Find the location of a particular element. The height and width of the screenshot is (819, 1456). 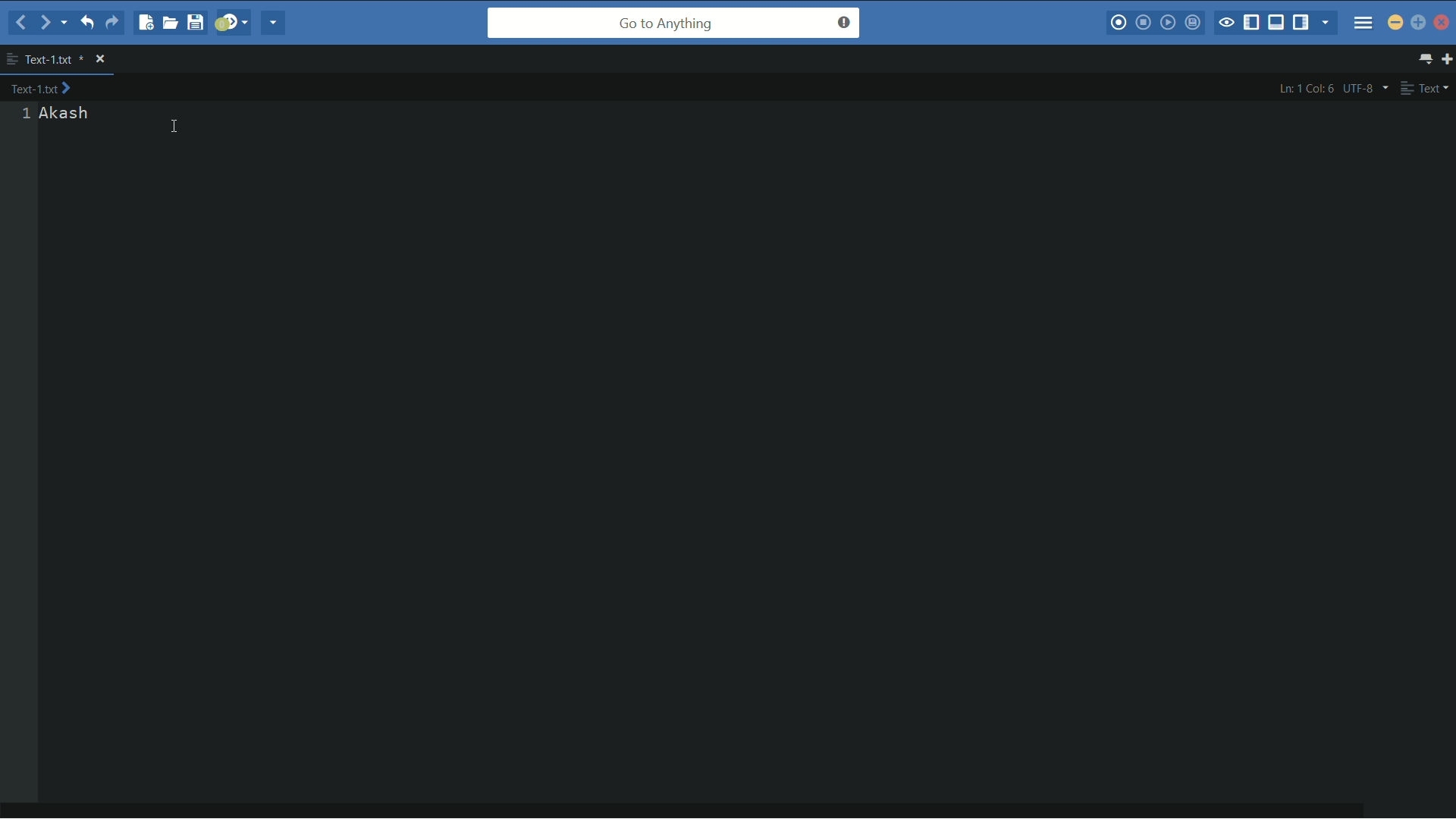

Akash is located at coordinates (66, 114).